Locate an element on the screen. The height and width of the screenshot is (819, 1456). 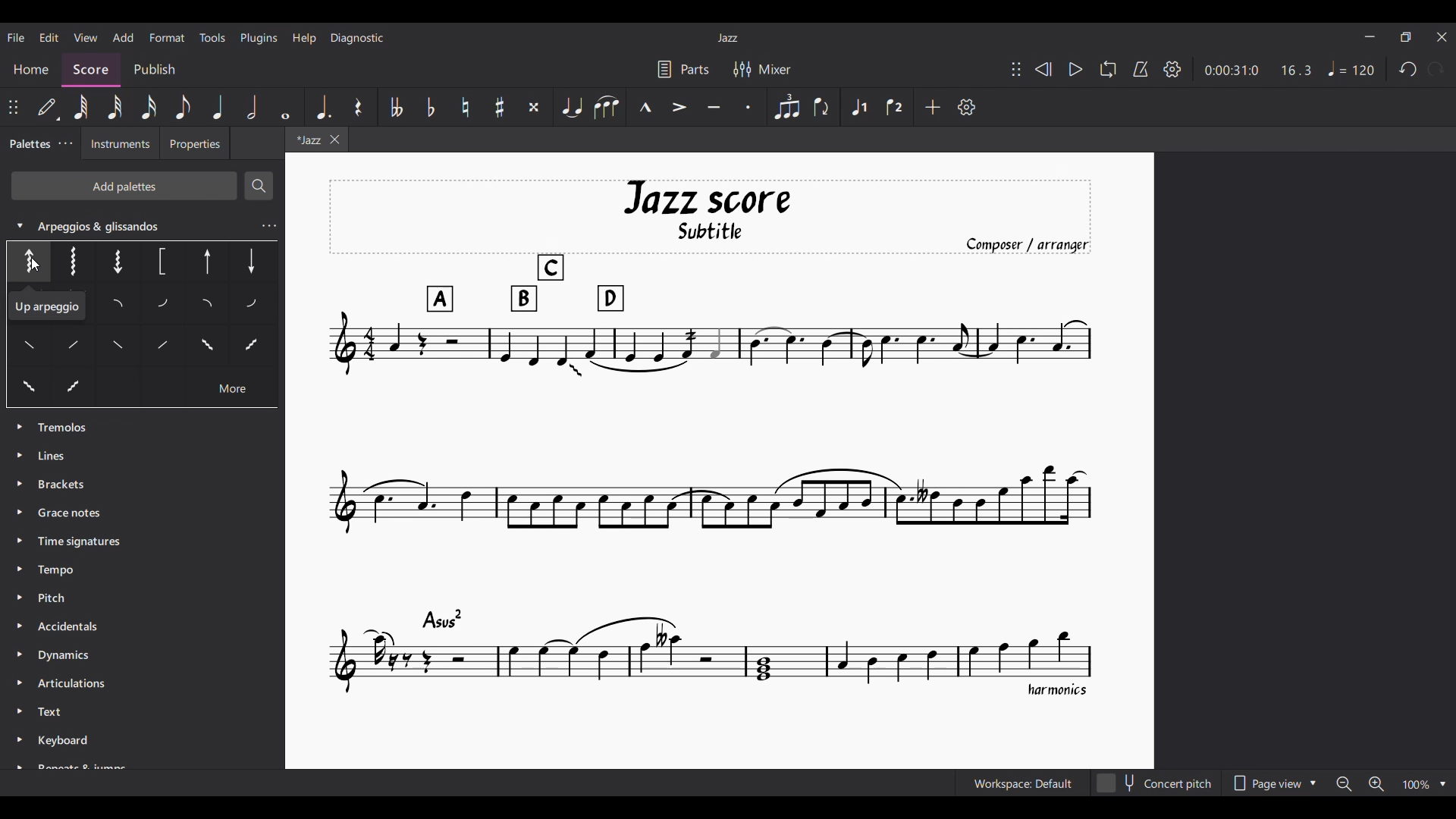
Pitch is located at coordinates (59, 598).